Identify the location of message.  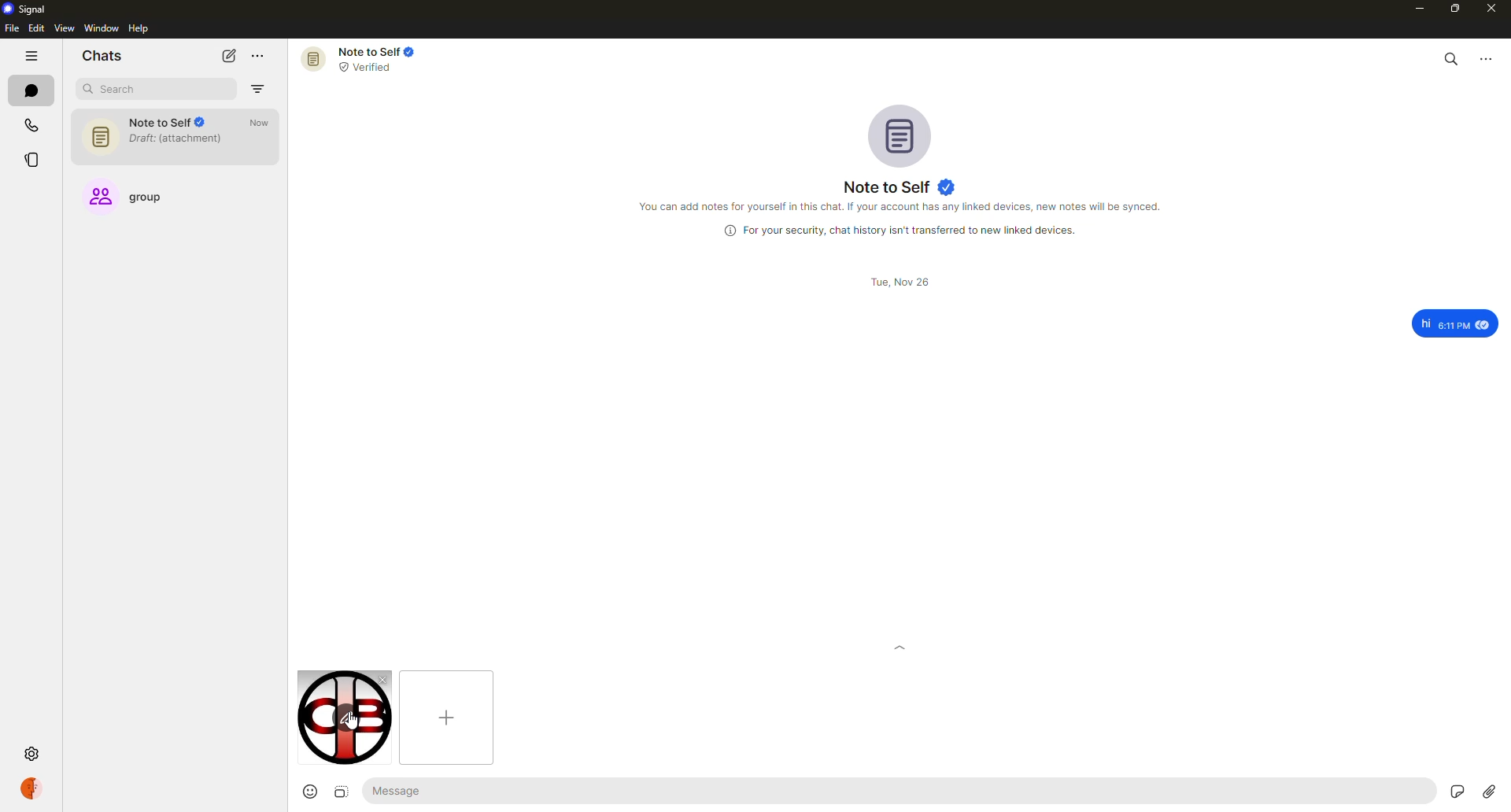
(483, 789).